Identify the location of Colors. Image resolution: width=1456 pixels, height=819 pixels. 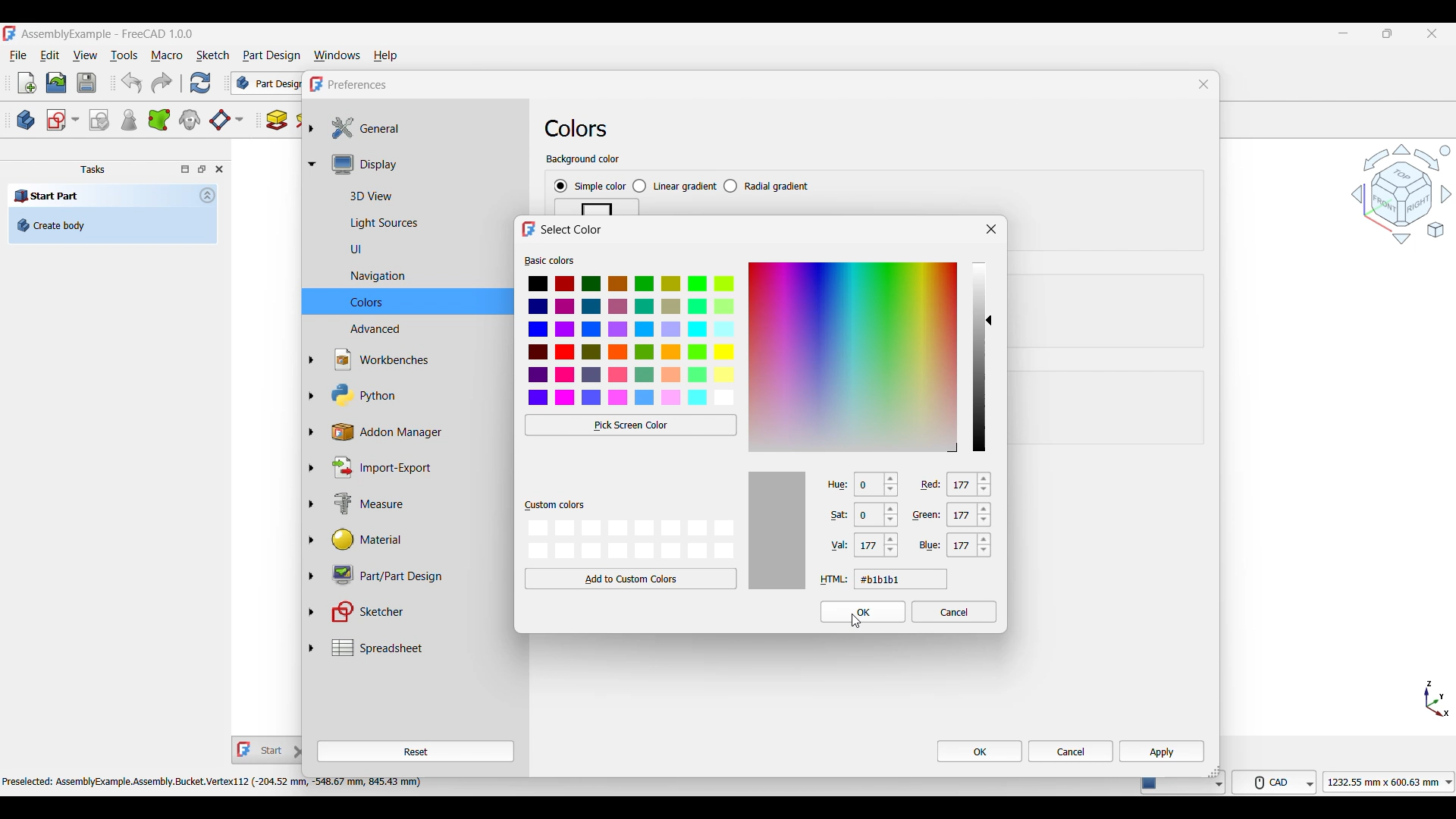
(576, 128).